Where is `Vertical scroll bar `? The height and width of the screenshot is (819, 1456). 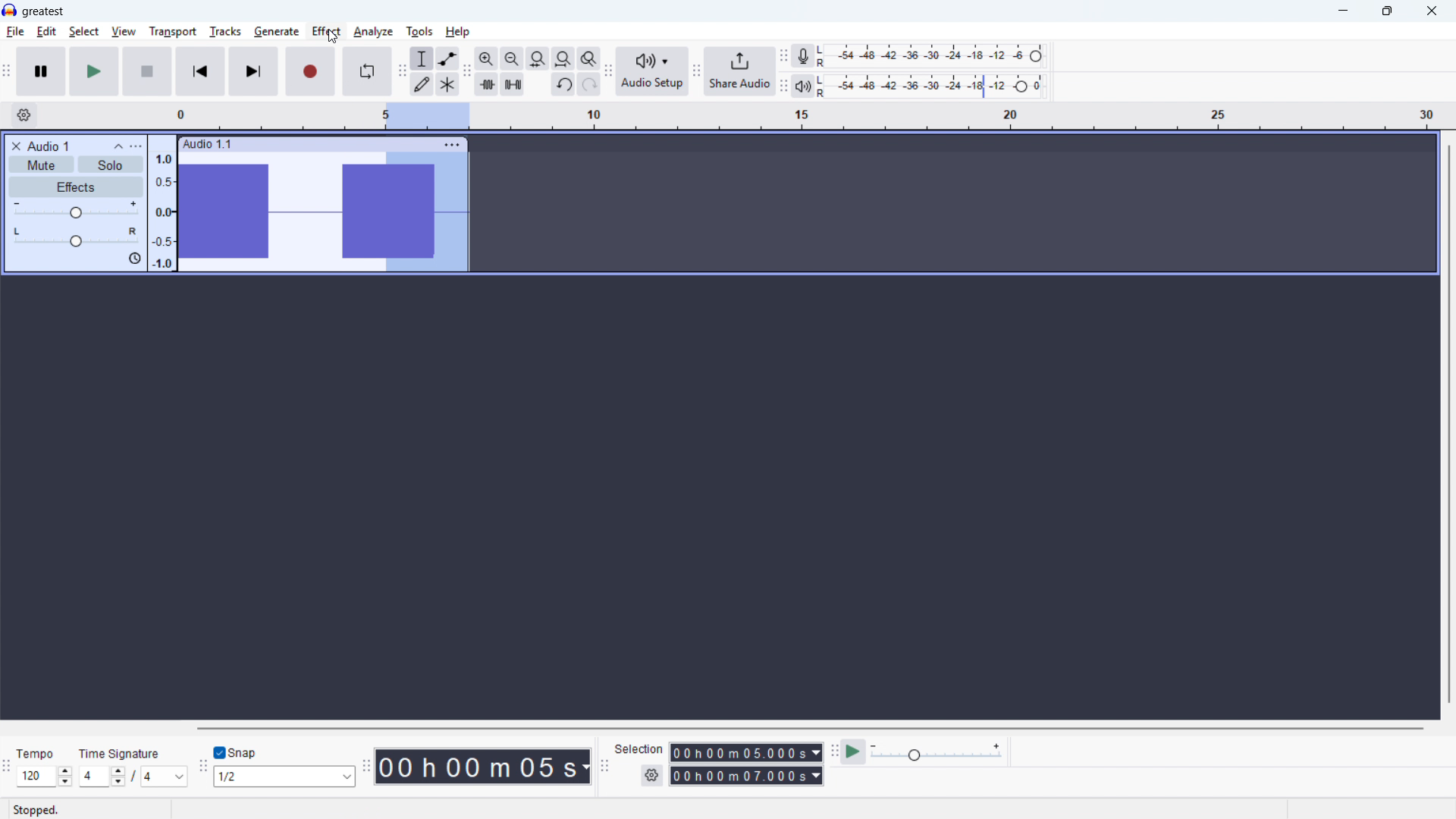
Vertical scroll bar  is located at coordinates (1449, 425).